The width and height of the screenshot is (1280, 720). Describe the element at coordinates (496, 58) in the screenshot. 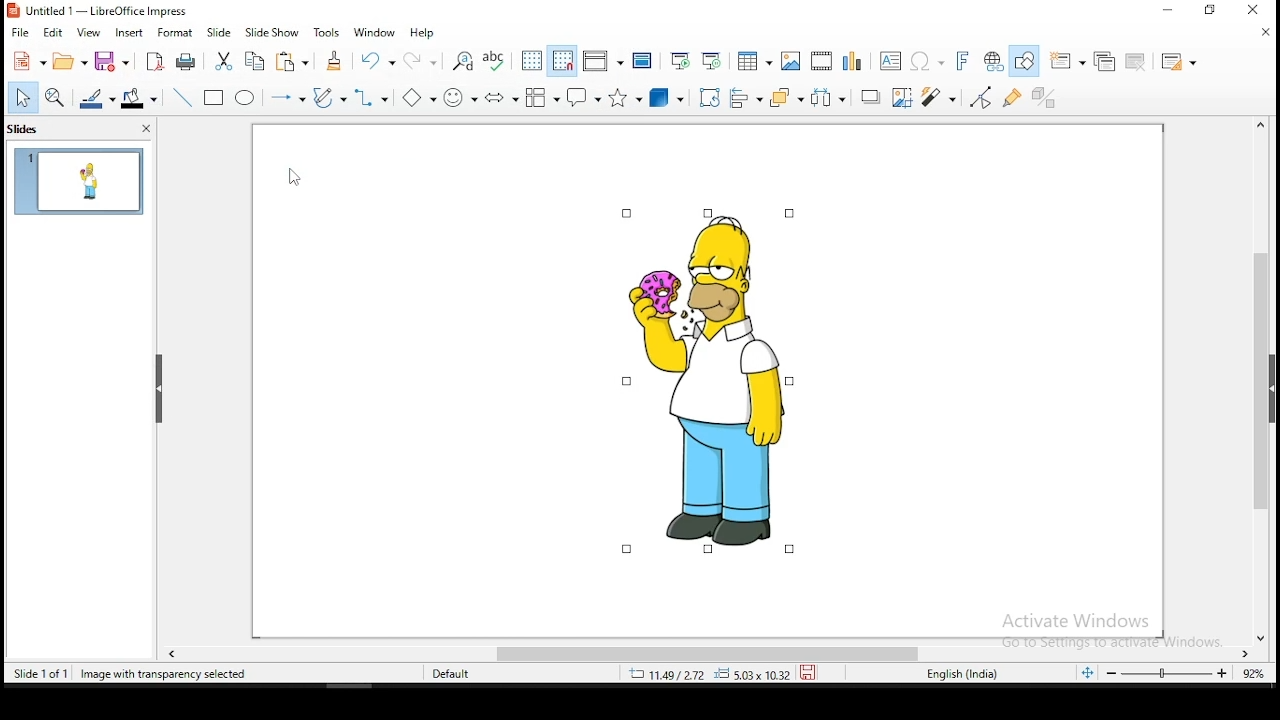

I see `spell check` at that location.